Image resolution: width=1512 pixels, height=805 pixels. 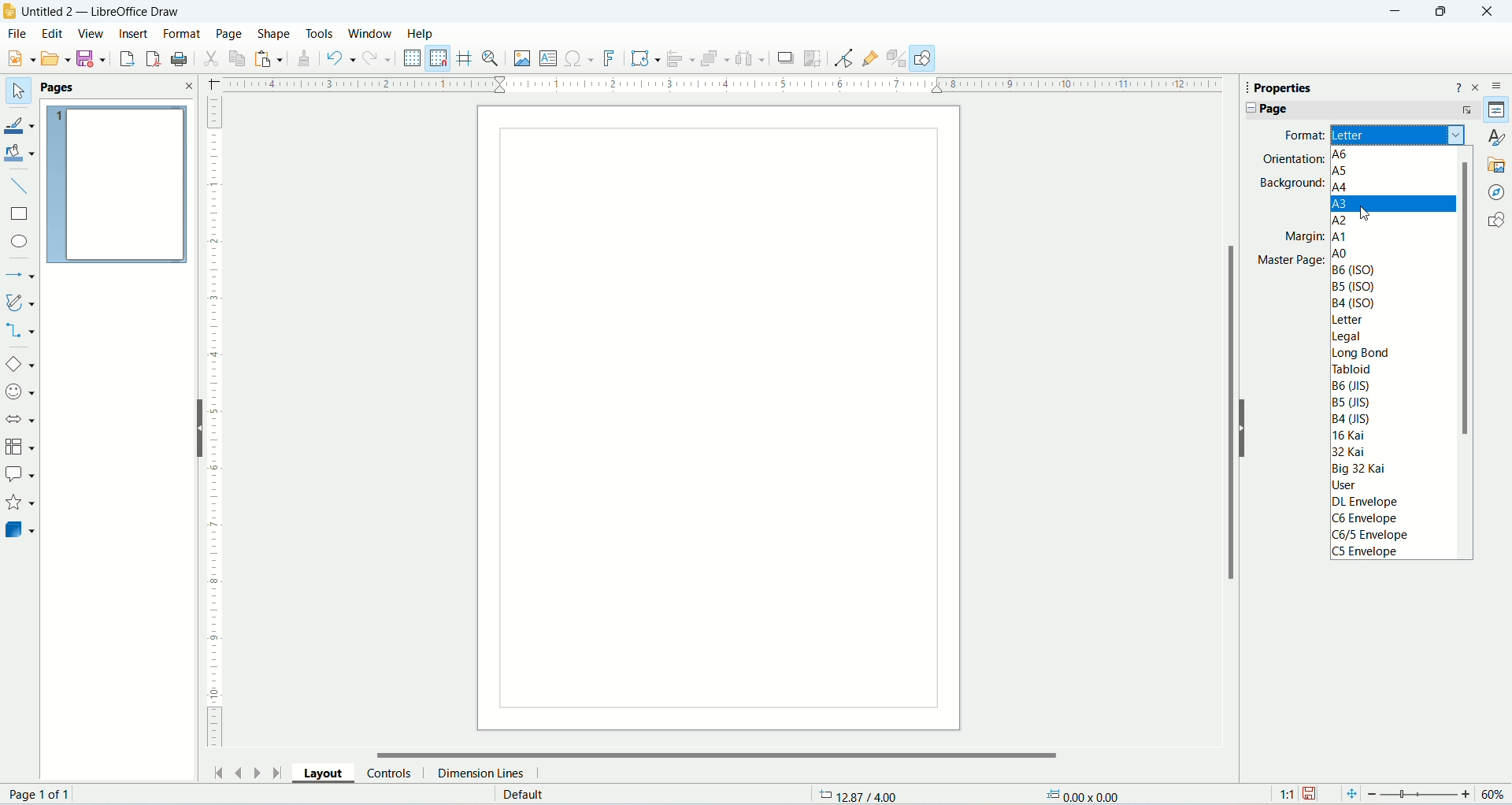 I want to click on Orientations, so click(x=1288, y=160).